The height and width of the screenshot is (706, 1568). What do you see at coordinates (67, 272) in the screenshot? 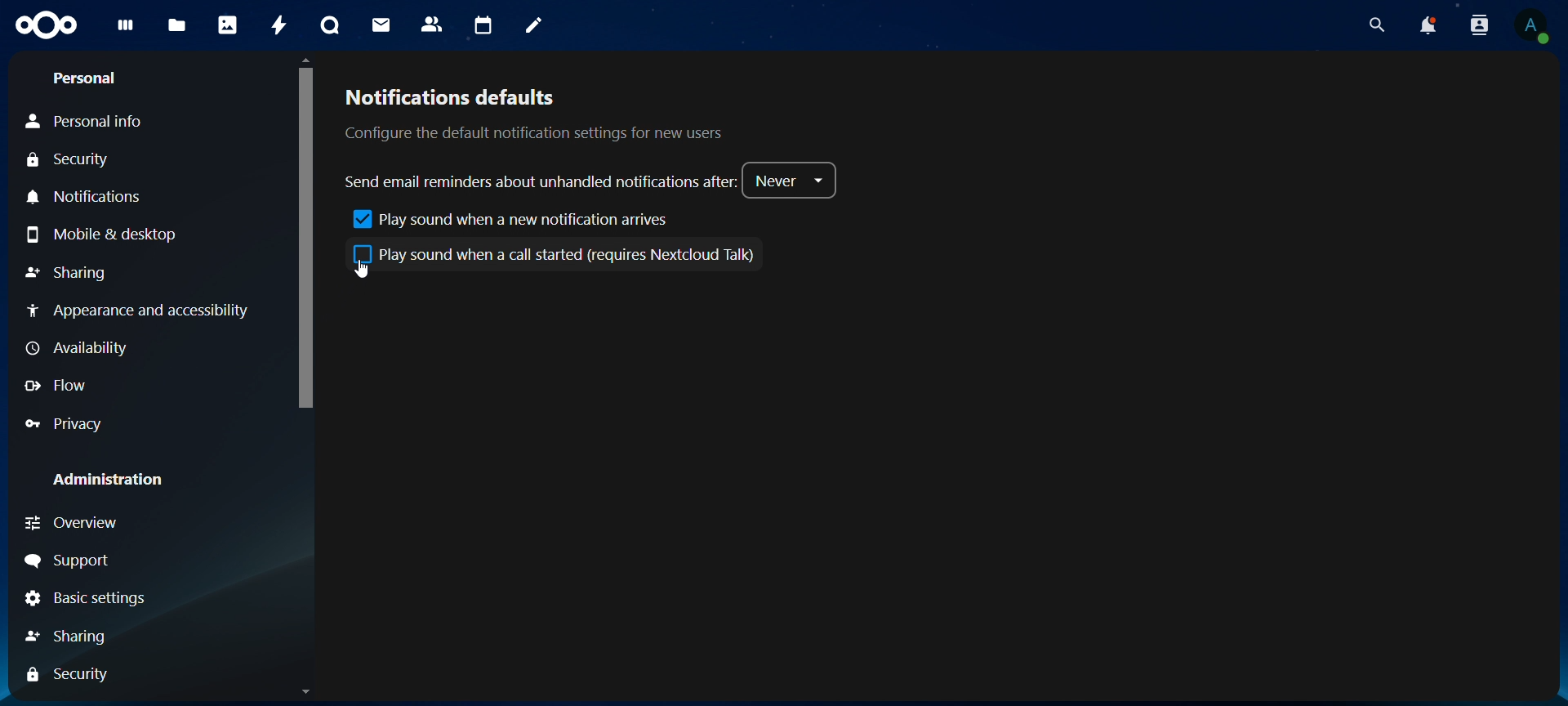
I see `Sharing` at bounding box center [67, 272].